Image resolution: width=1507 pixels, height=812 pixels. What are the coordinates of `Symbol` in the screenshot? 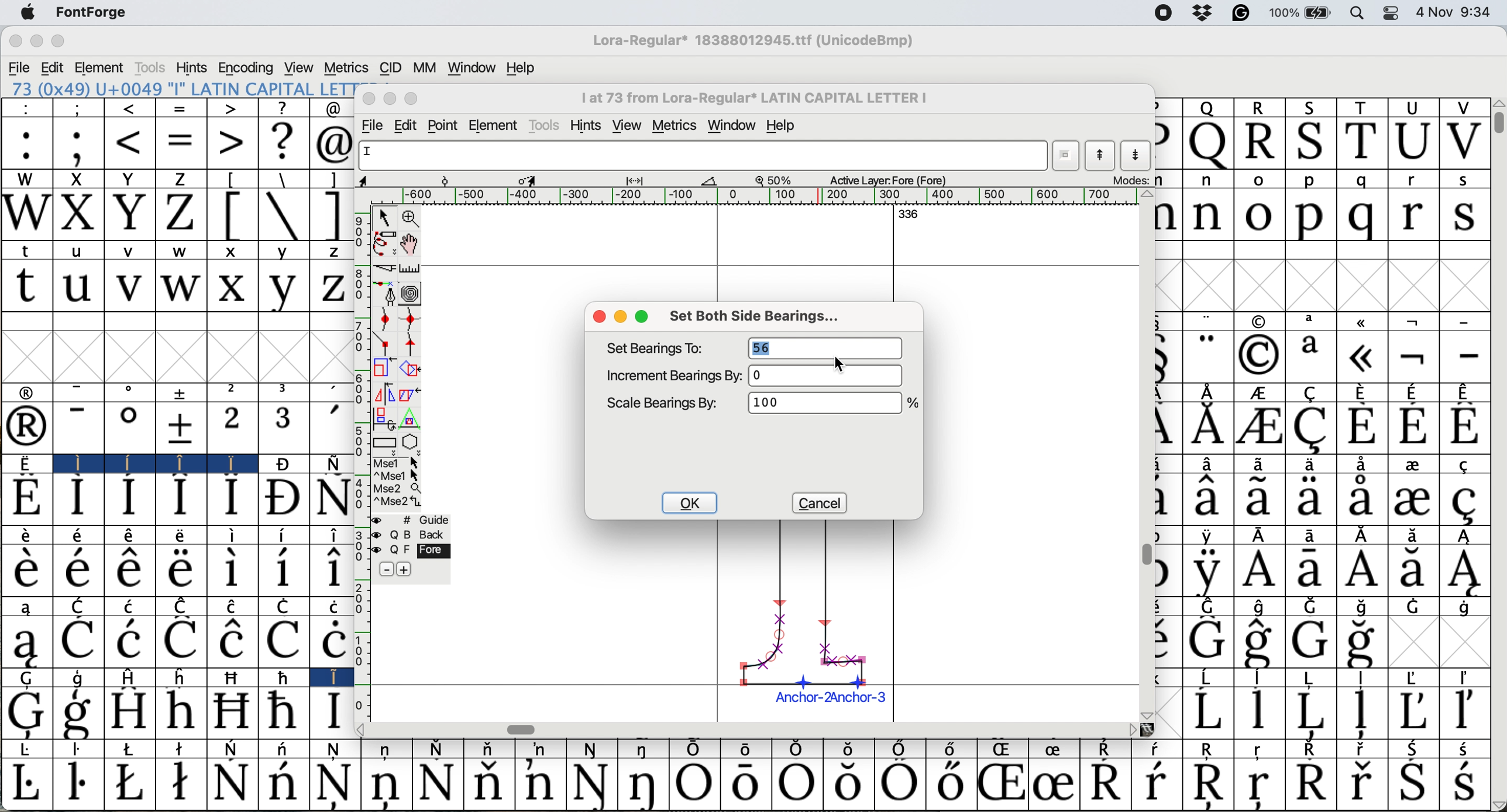 It's located at (1465, 426).